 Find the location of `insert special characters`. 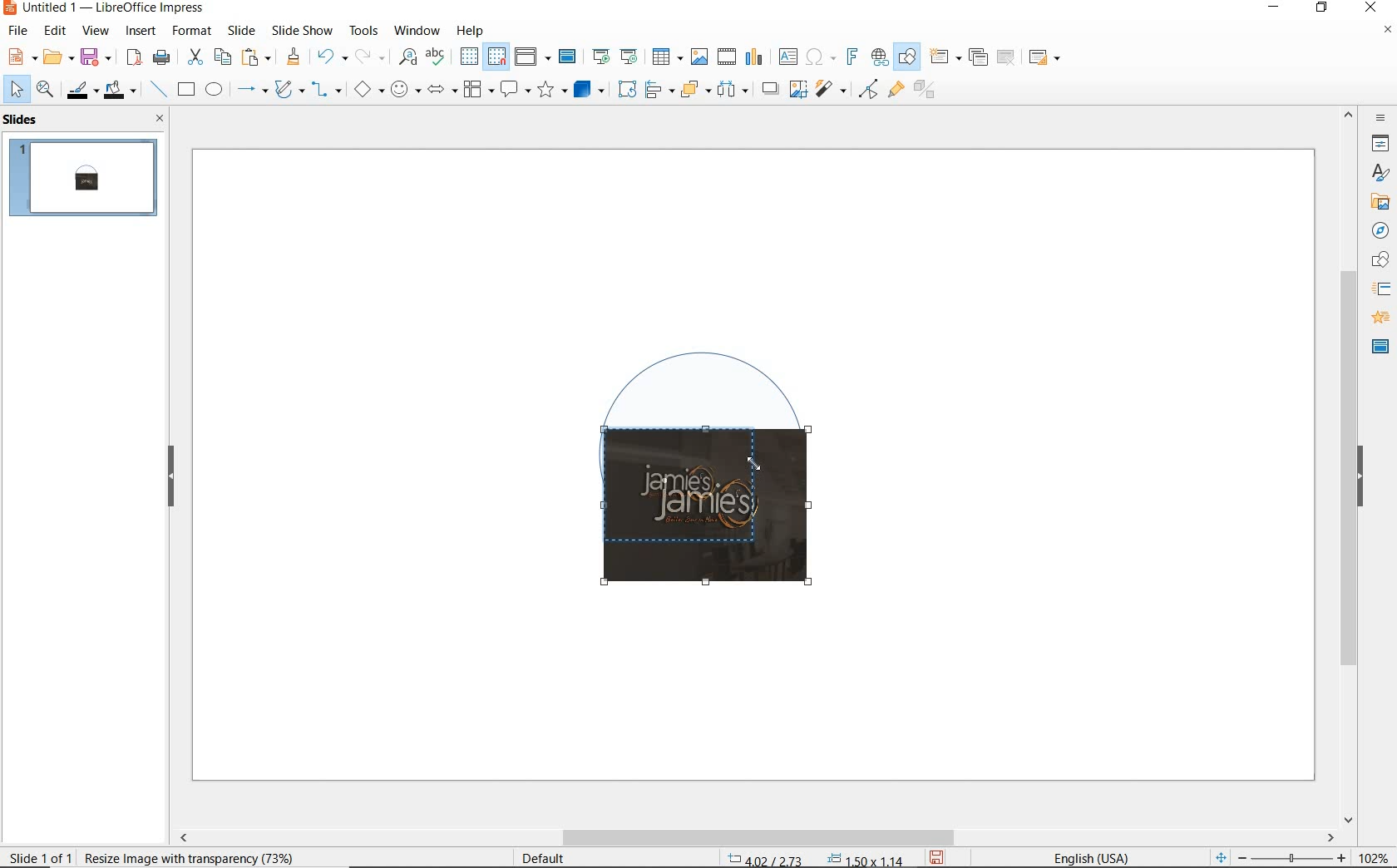

insert special characters is located at coordinates (817, 55).